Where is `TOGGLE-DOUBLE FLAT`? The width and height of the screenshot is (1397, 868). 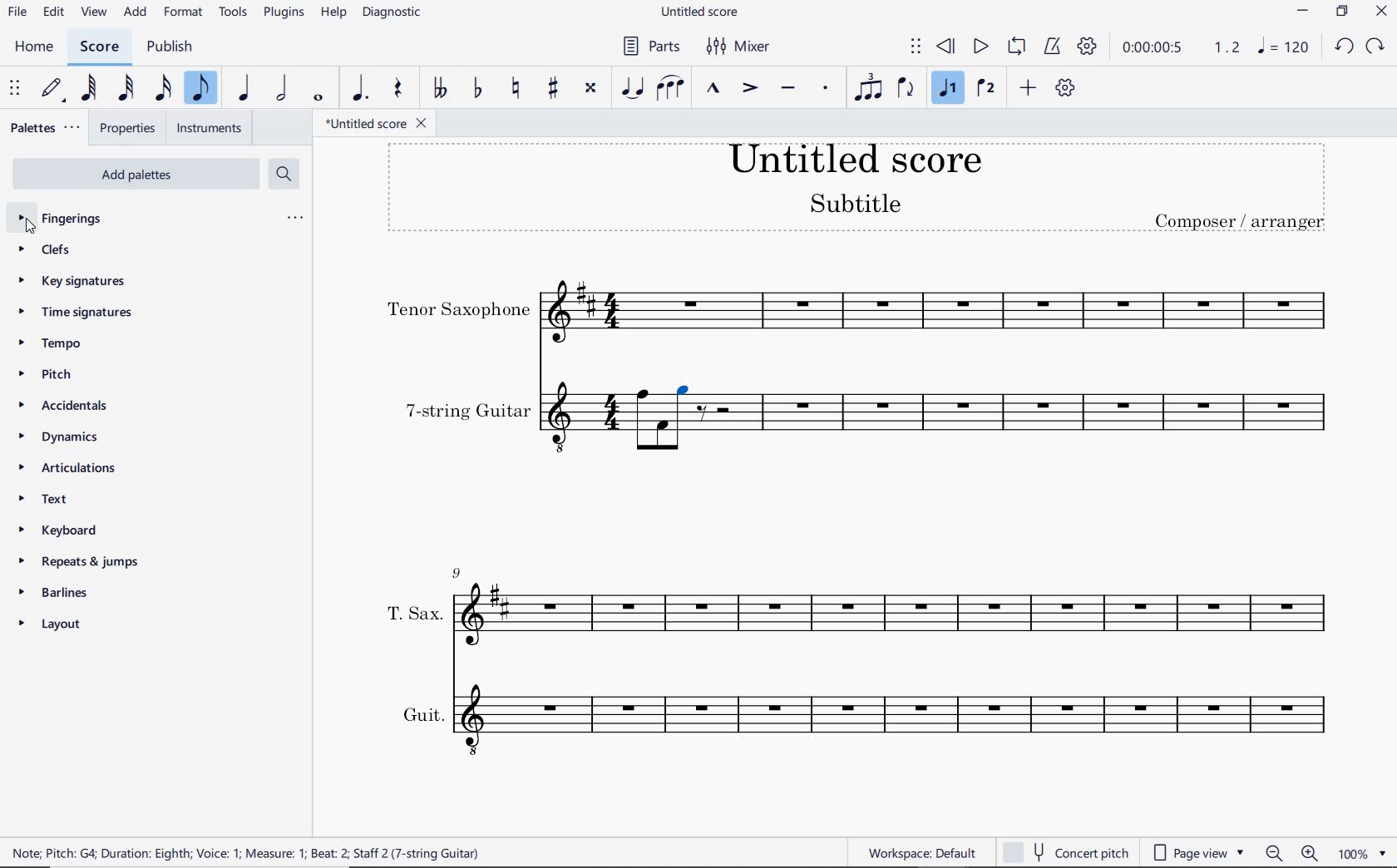
TOGGLE-DOUBLE FLAT is located at coordinates (439, 87).